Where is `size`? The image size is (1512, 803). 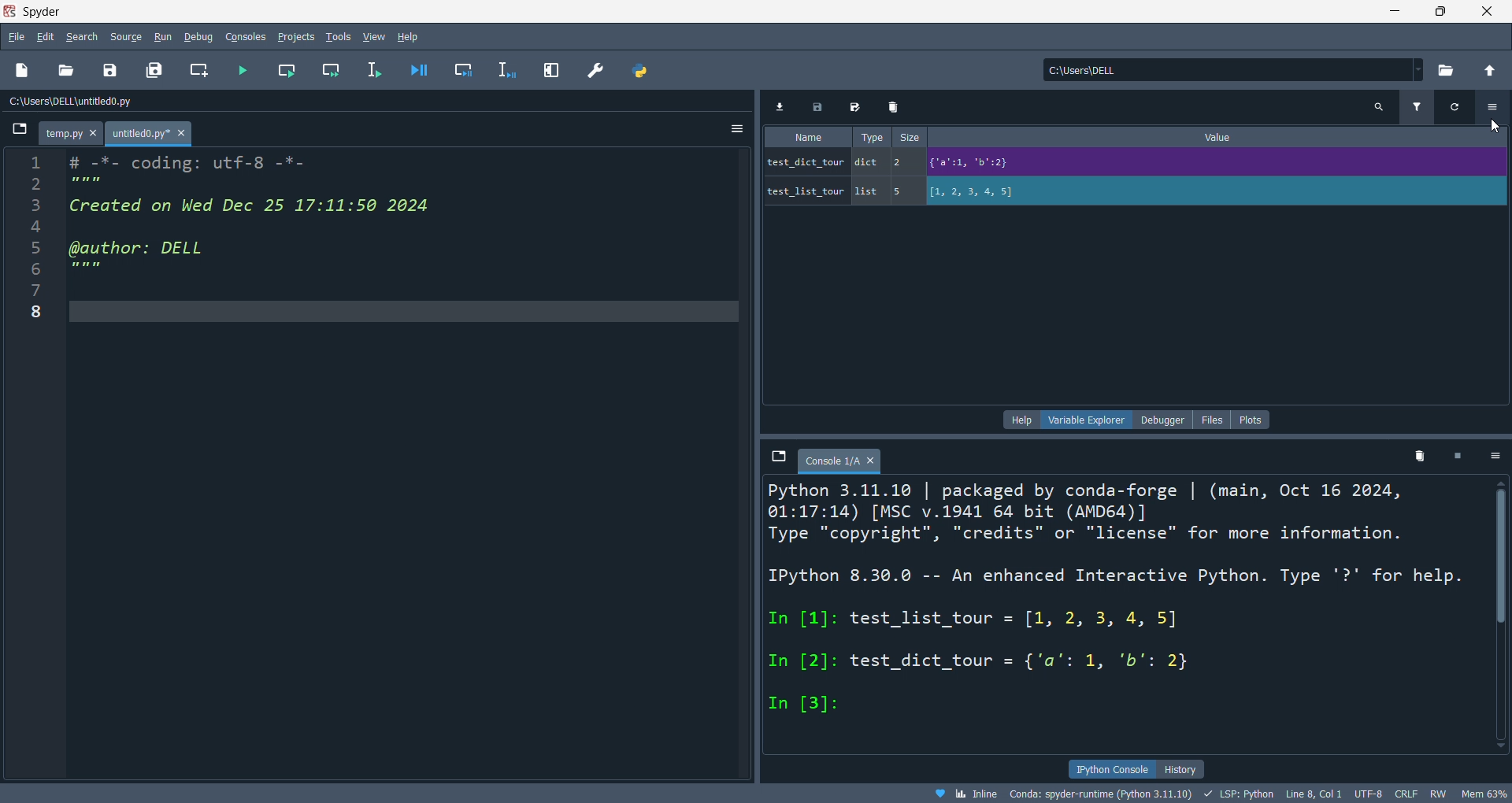 size is located at coordinates (910, 138).